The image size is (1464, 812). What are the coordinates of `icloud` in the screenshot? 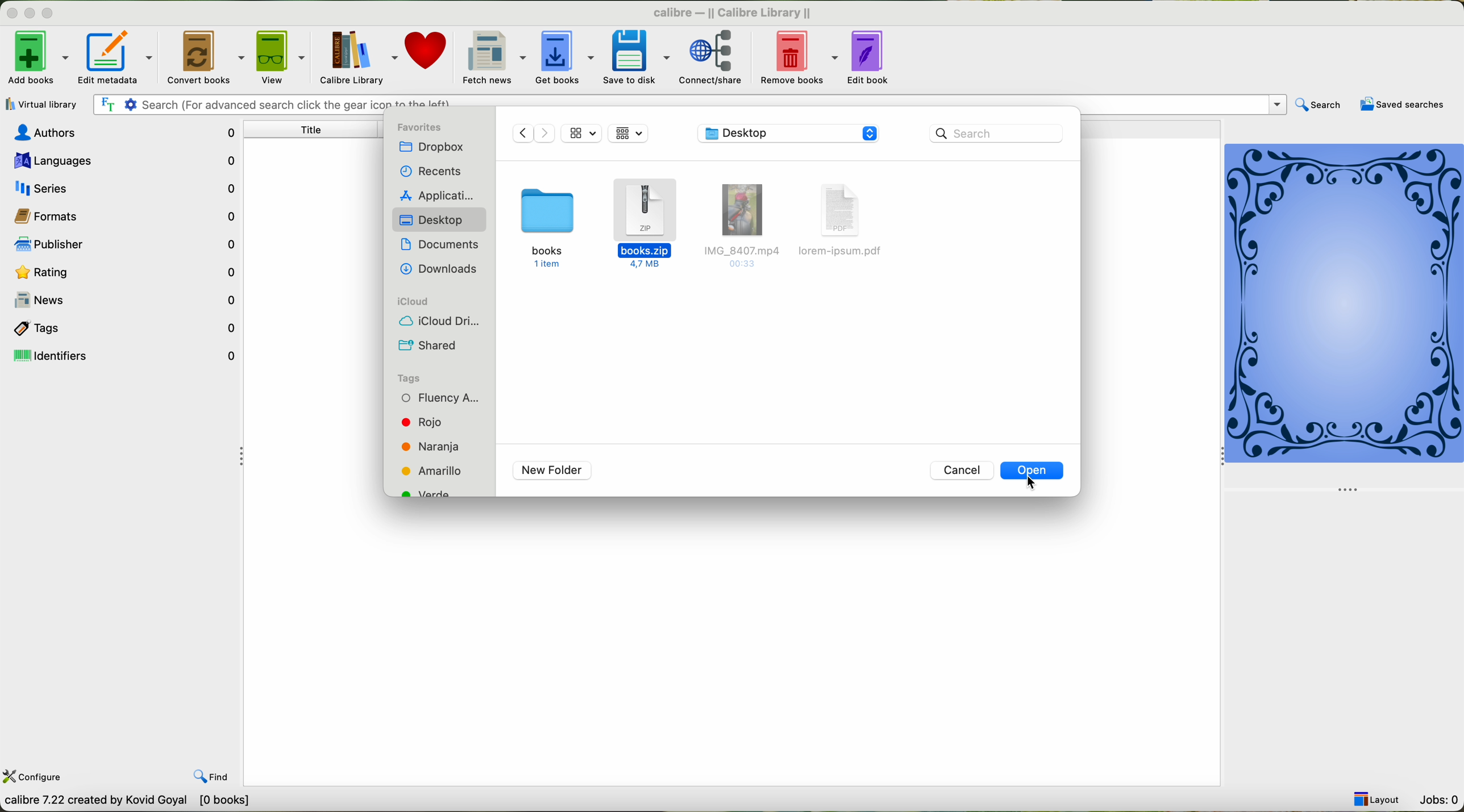 It's located at (414, 302).